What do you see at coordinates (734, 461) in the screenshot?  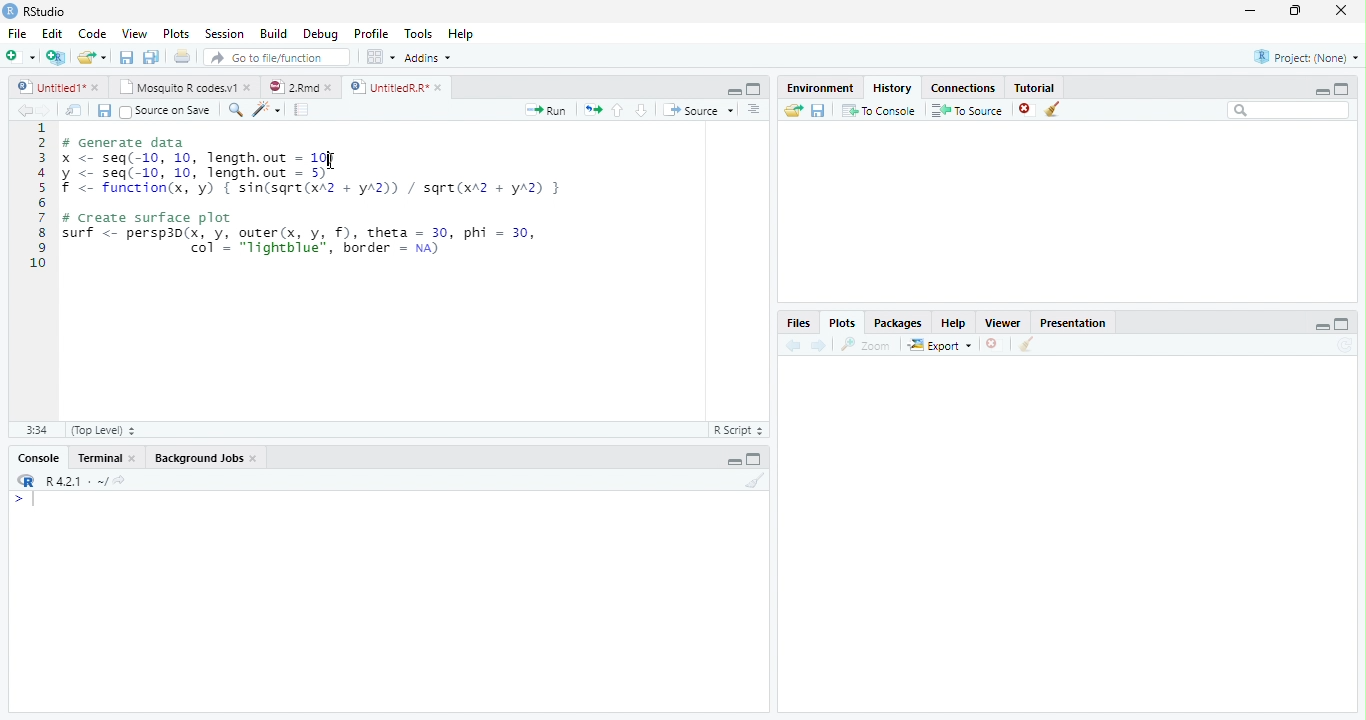 I see `Minimize` at bounding box center [734, 461].